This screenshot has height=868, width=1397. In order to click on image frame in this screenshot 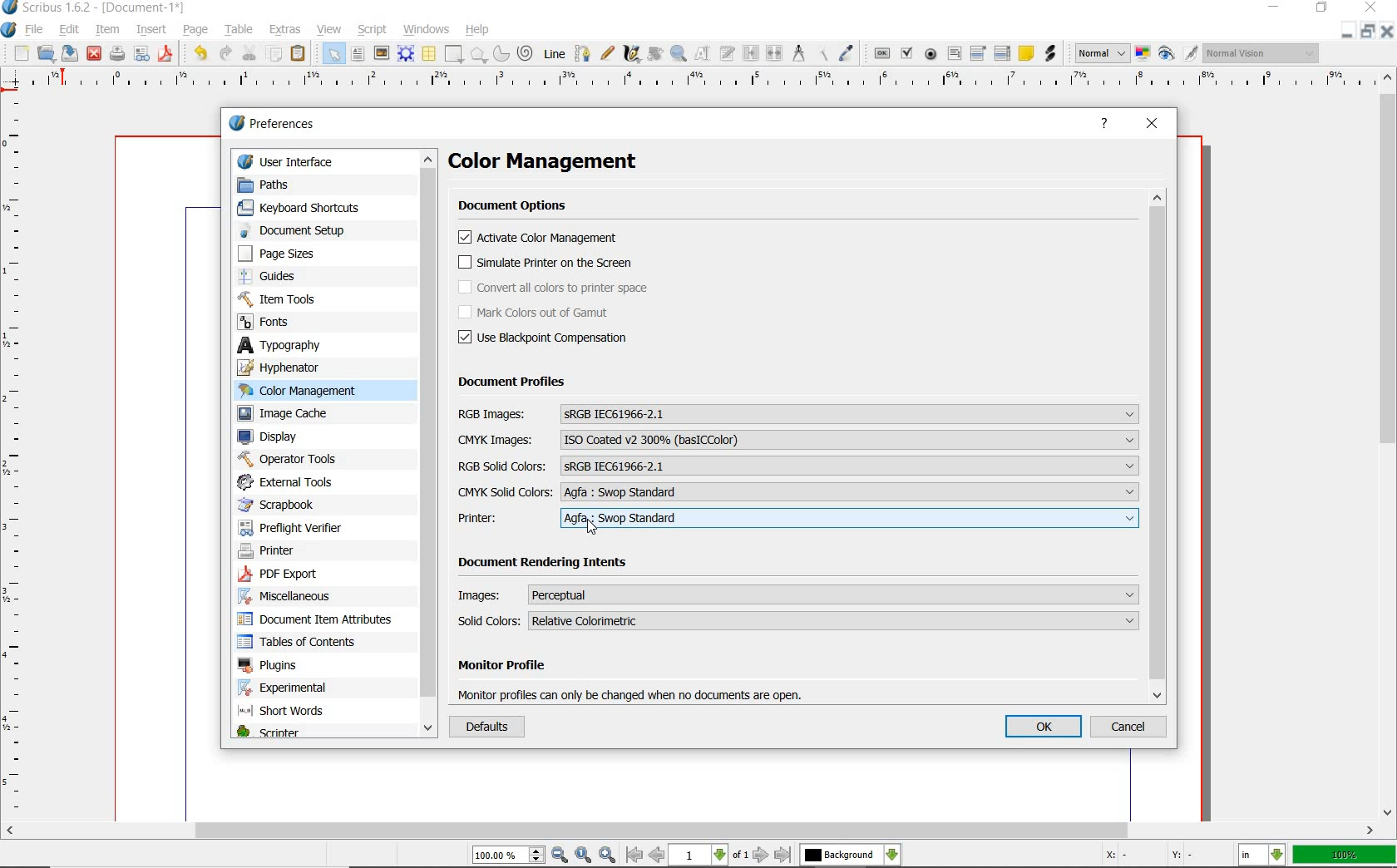, I will do `click(380, 52)`.